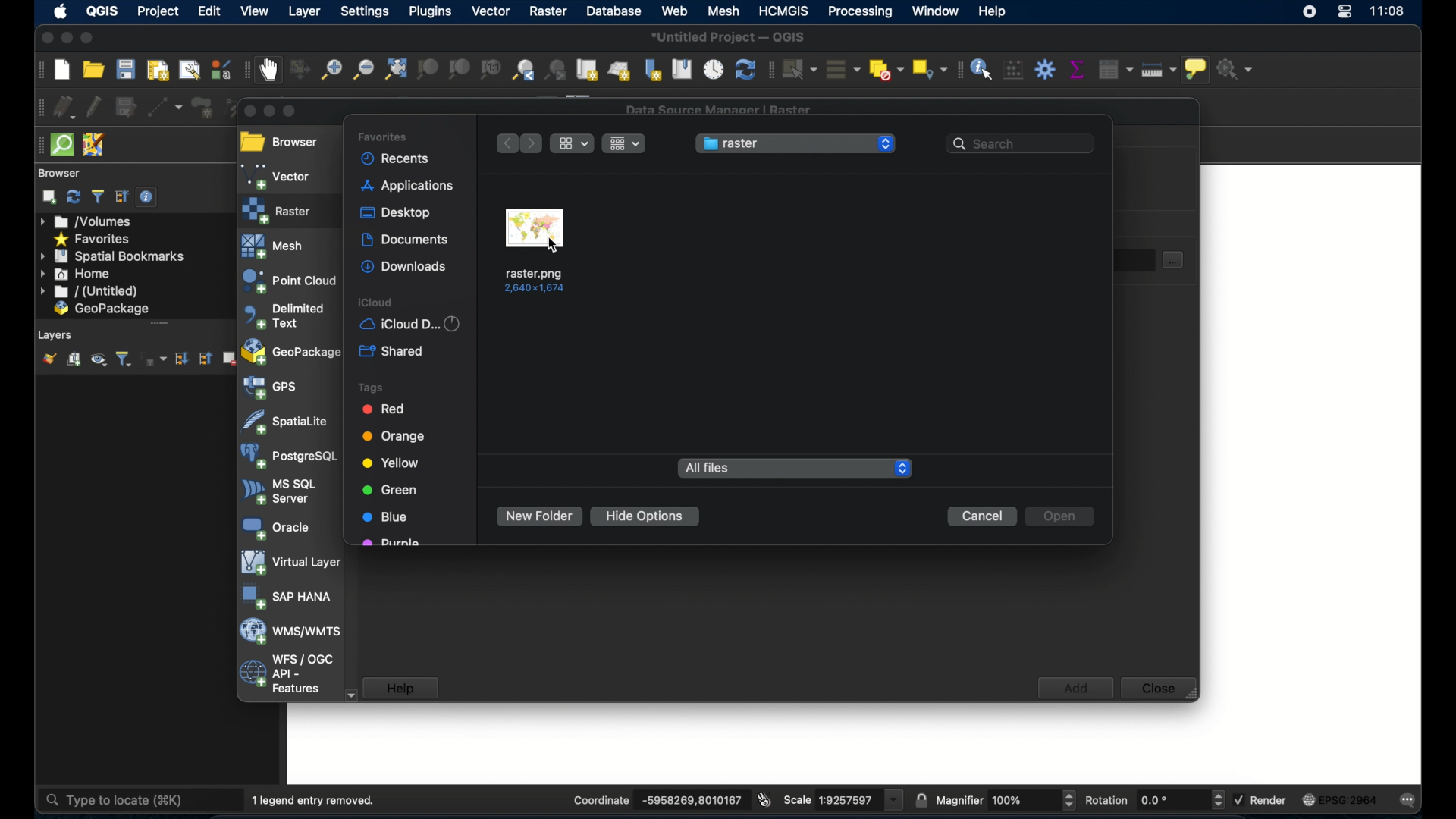 This screenshot has height=819, width=1456. What do you see at coordinates (391, 490) in the screenshot?
I see `green` at bounding box center [391, 490].